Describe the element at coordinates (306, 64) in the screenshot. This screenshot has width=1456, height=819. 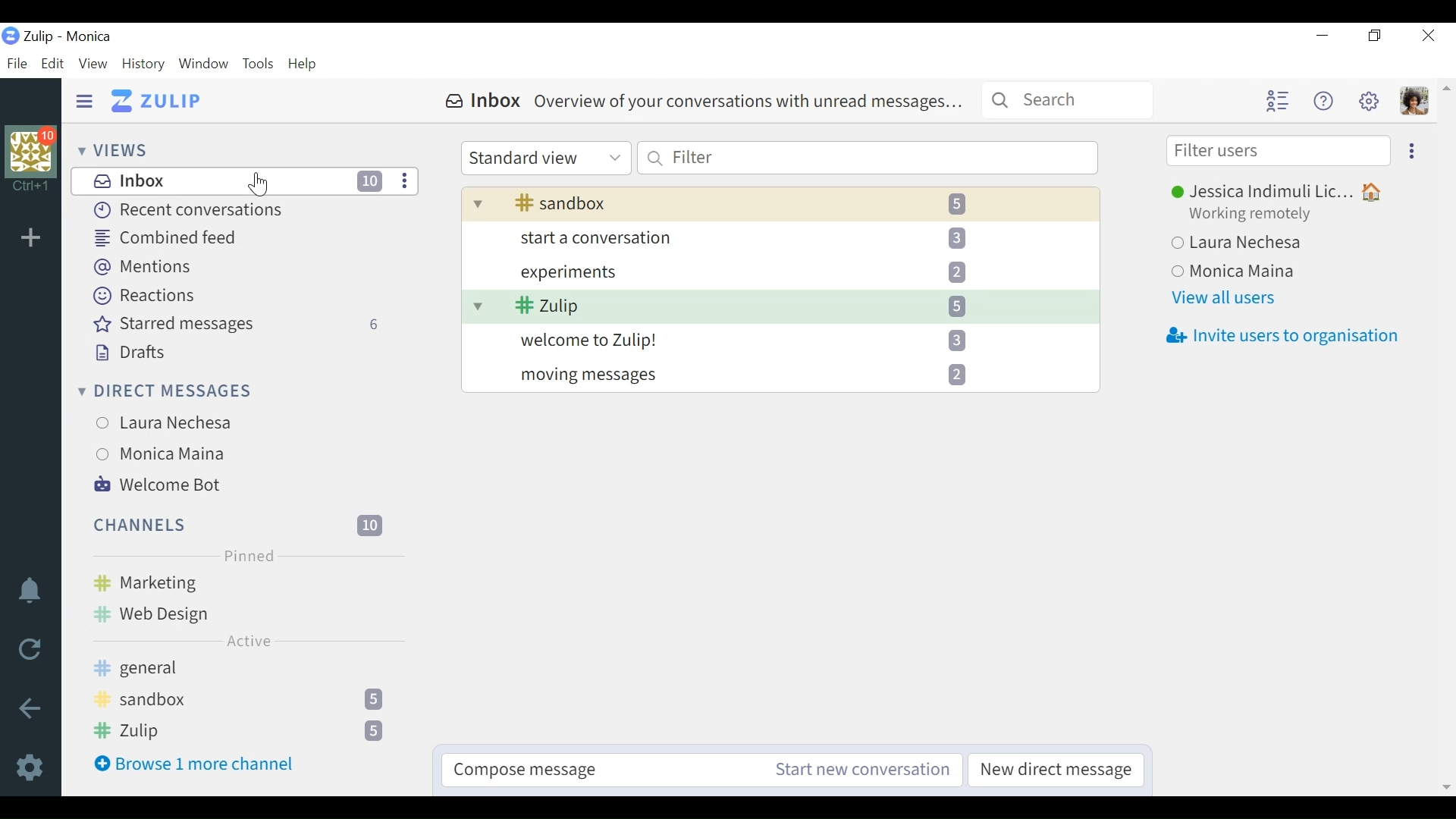
I see `Help` at that location.